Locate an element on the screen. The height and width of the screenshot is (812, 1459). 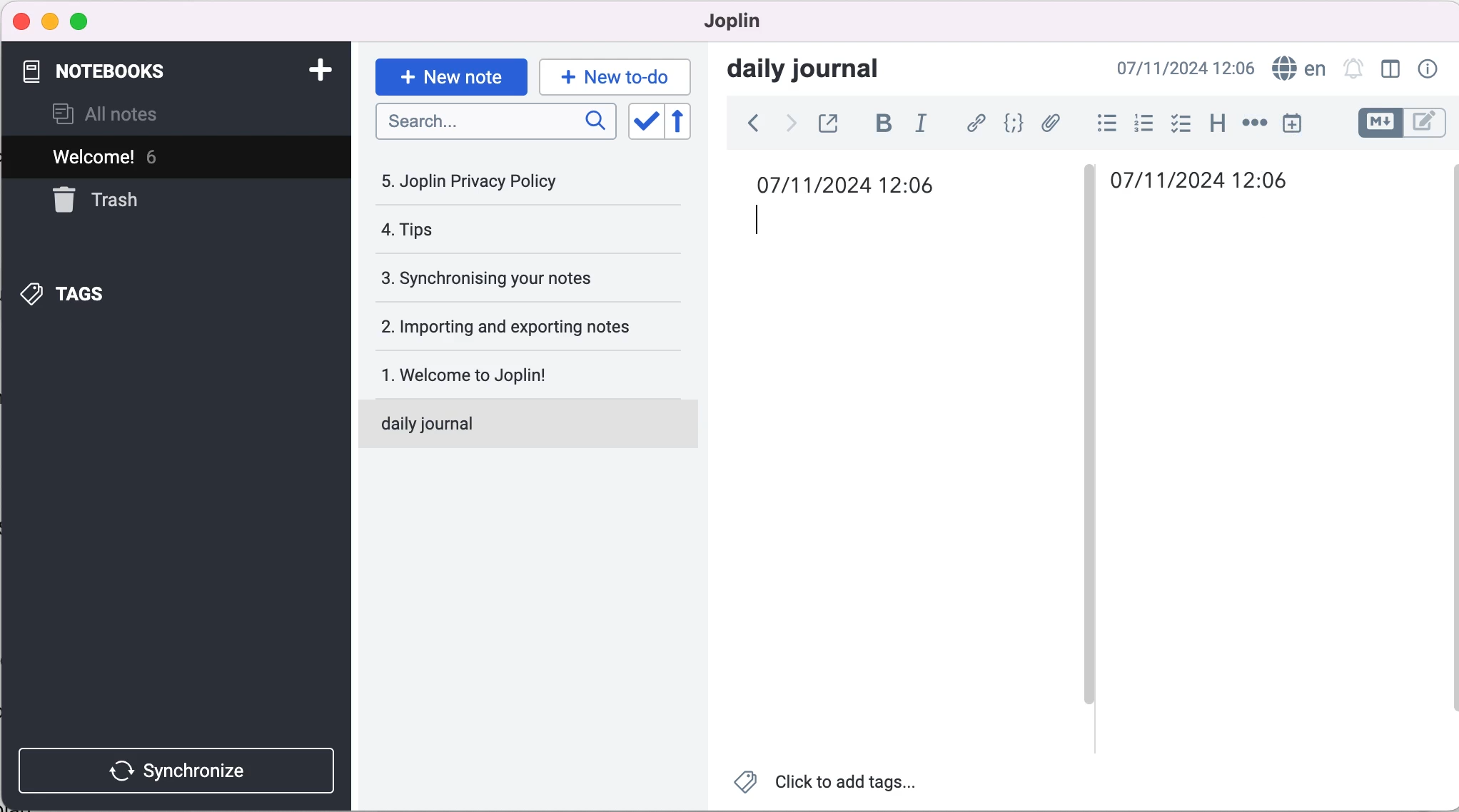
set alarm is located at coordinates (1351, 71).